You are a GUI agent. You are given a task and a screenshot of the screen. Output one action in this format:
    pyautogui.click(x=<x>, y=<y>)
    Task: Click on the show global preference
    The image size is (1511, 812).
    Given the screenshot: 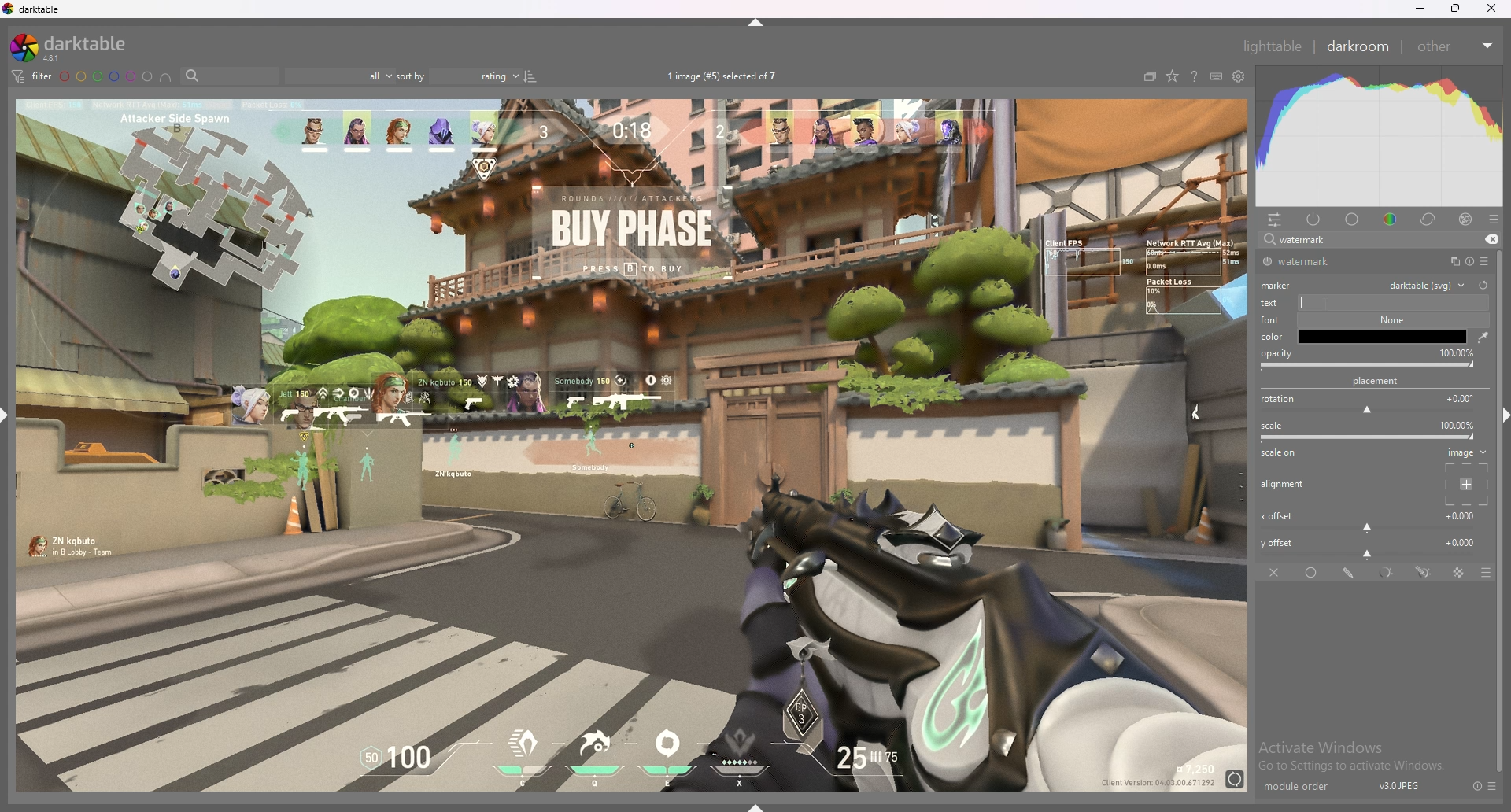 What is the action you would take?
    pyautogui.click(x=1239, y=77)
    